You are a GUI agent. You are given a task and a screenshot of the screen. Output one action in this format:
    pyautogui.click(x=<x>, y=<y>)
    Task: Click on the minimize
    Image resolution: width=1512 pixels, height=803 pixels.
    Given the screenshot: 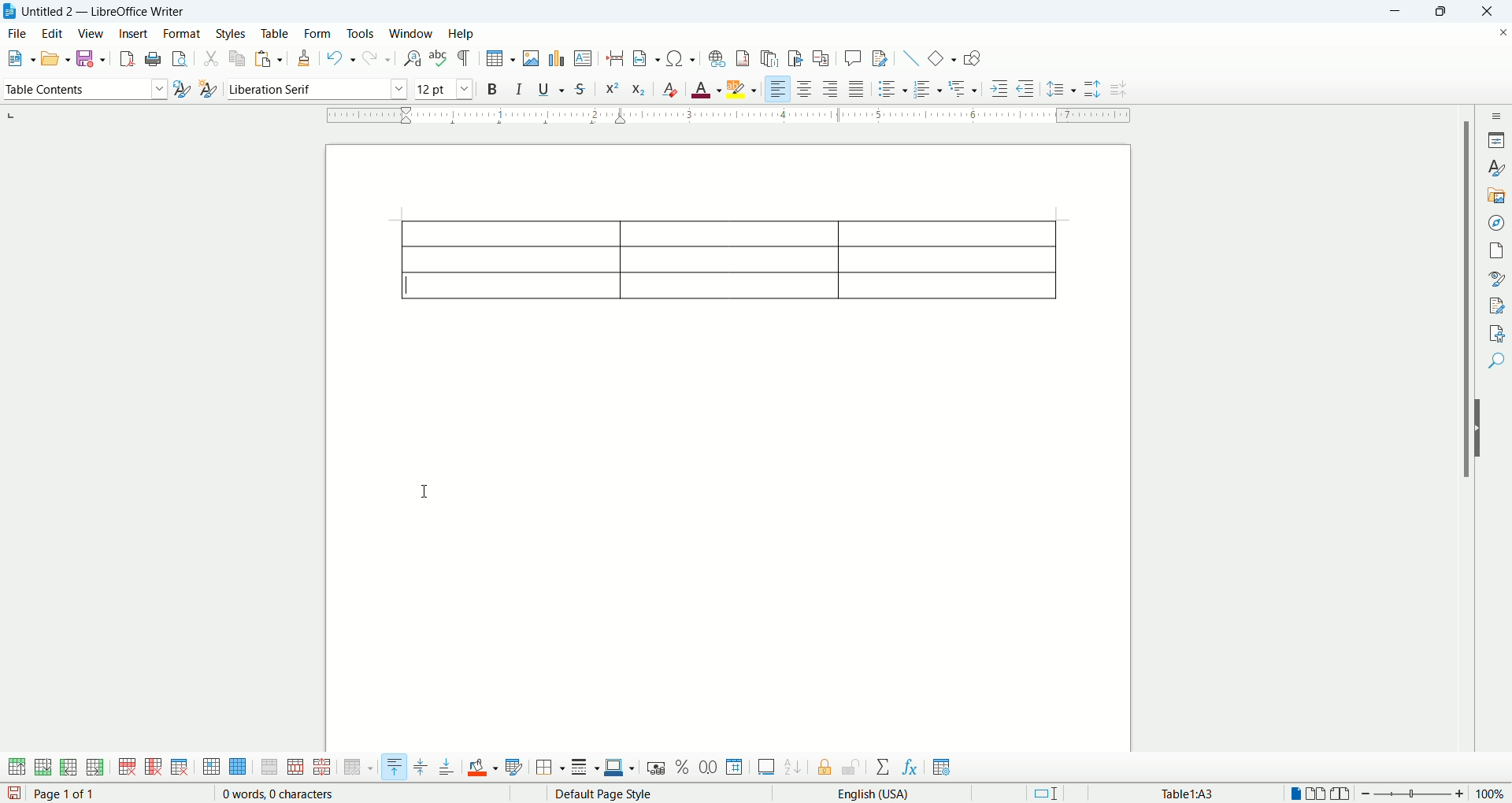 What is the action you would take?
    pyautogui.click(x=1392, y=13)
    